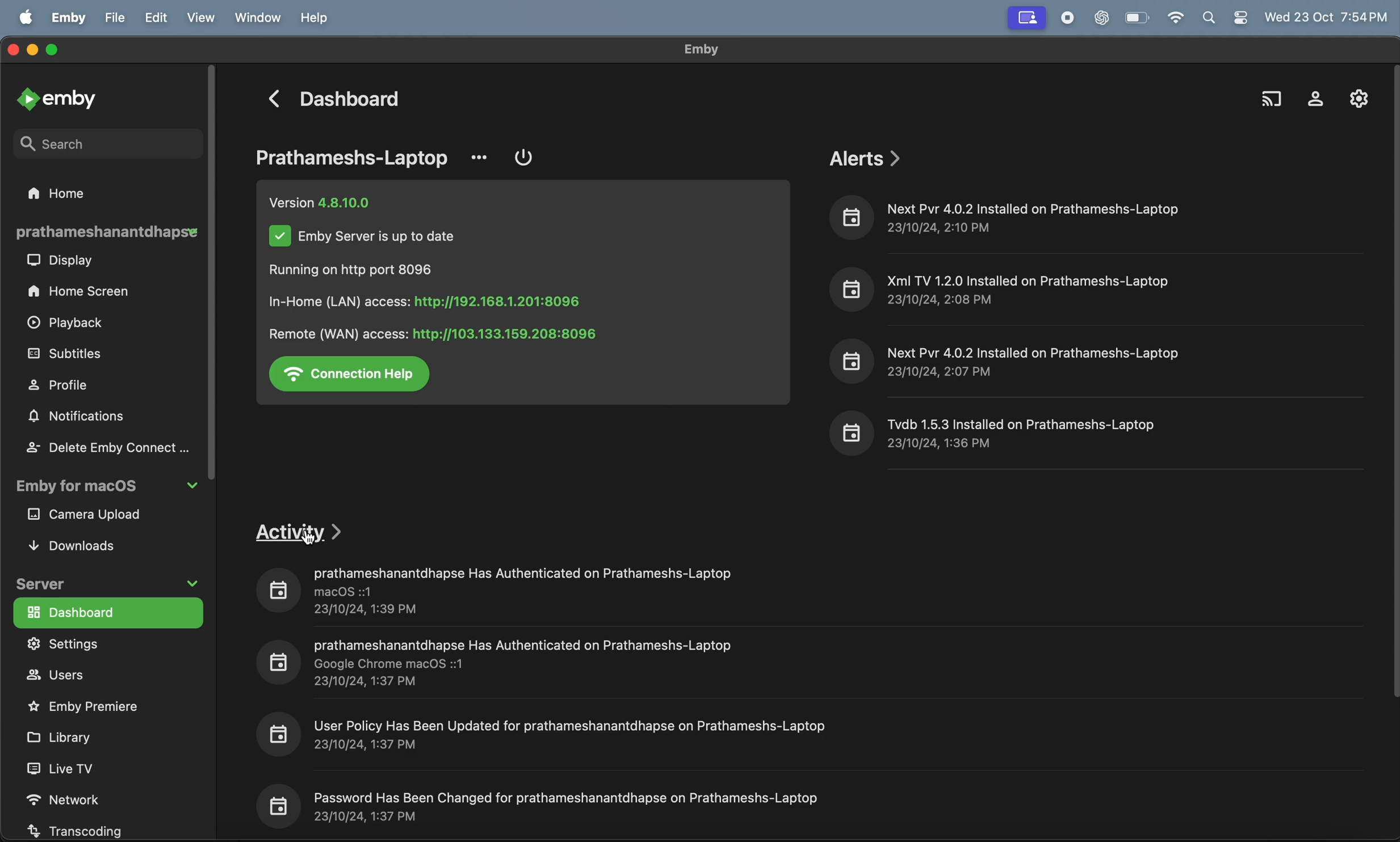 This screenshot has height=842, width=1400. I want to click on file, so click(116, 18).